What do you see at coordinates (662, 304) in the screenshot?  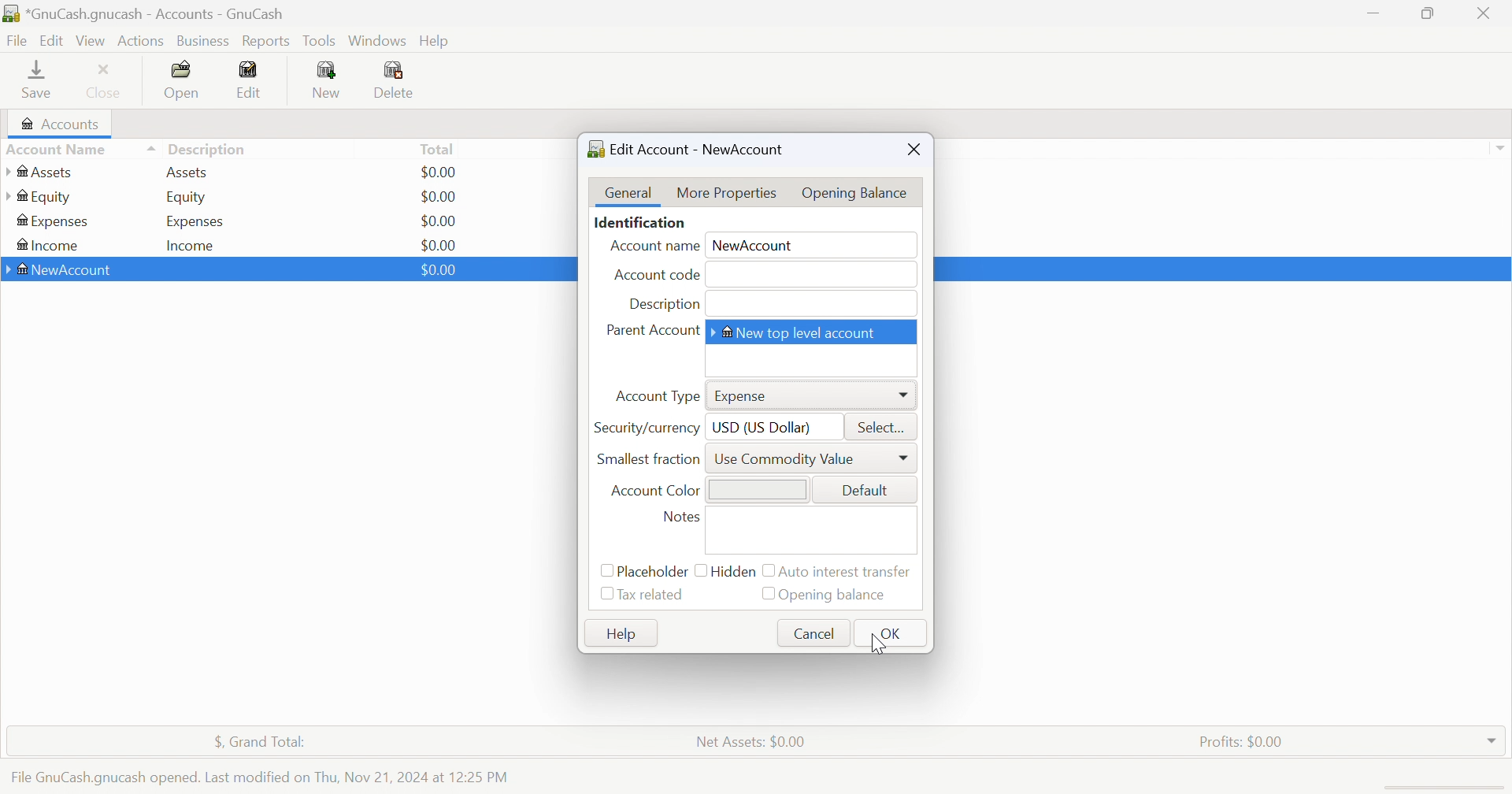 I see `Description` at bounding box center [662, 304].